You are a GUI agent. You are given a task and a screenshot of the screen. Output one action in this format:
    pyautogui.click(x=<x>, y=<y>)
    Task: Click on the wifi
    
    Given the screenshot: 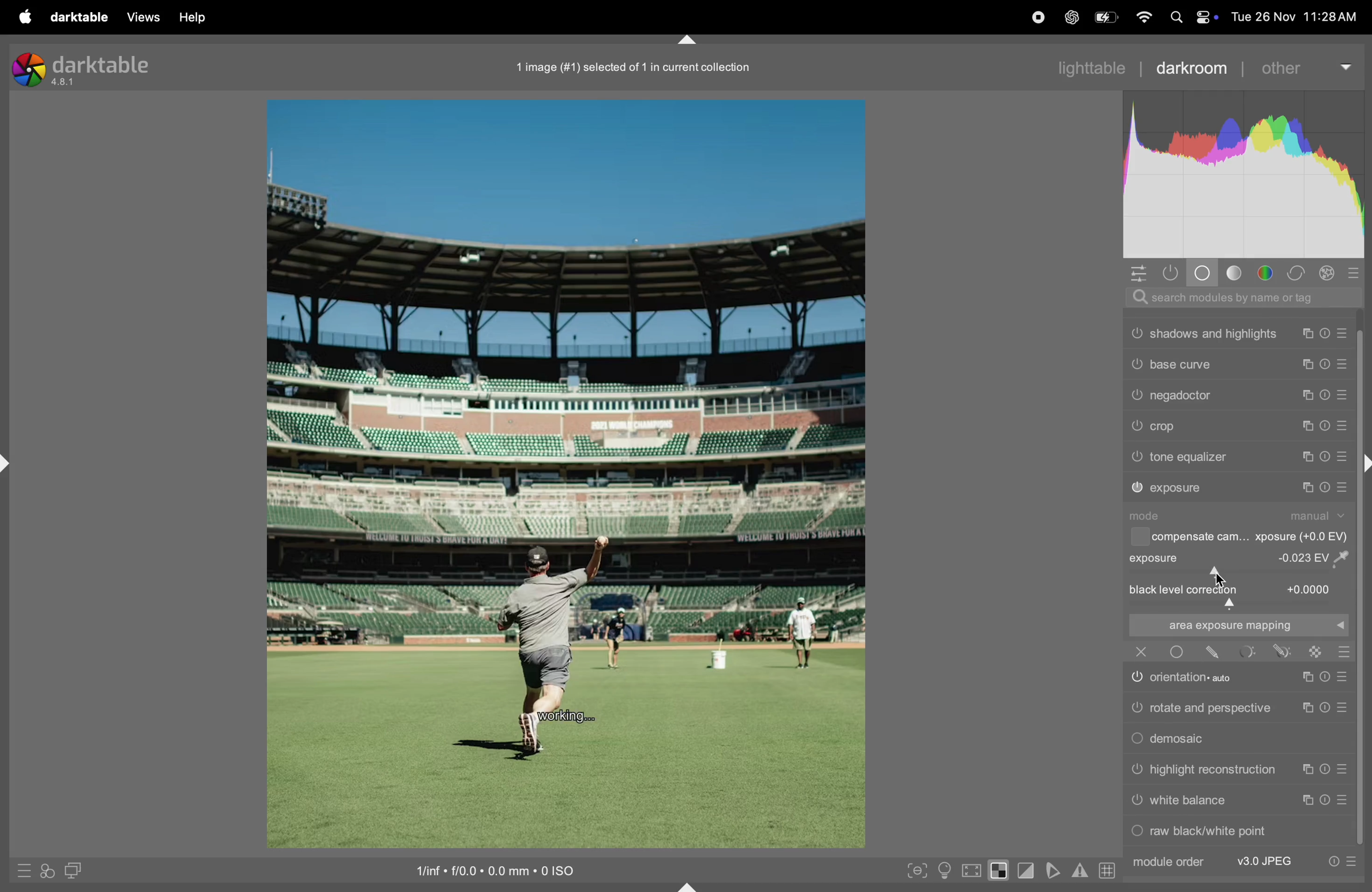 What is the action you would take?
    pyautogui.click(x=1145, y=18)
    